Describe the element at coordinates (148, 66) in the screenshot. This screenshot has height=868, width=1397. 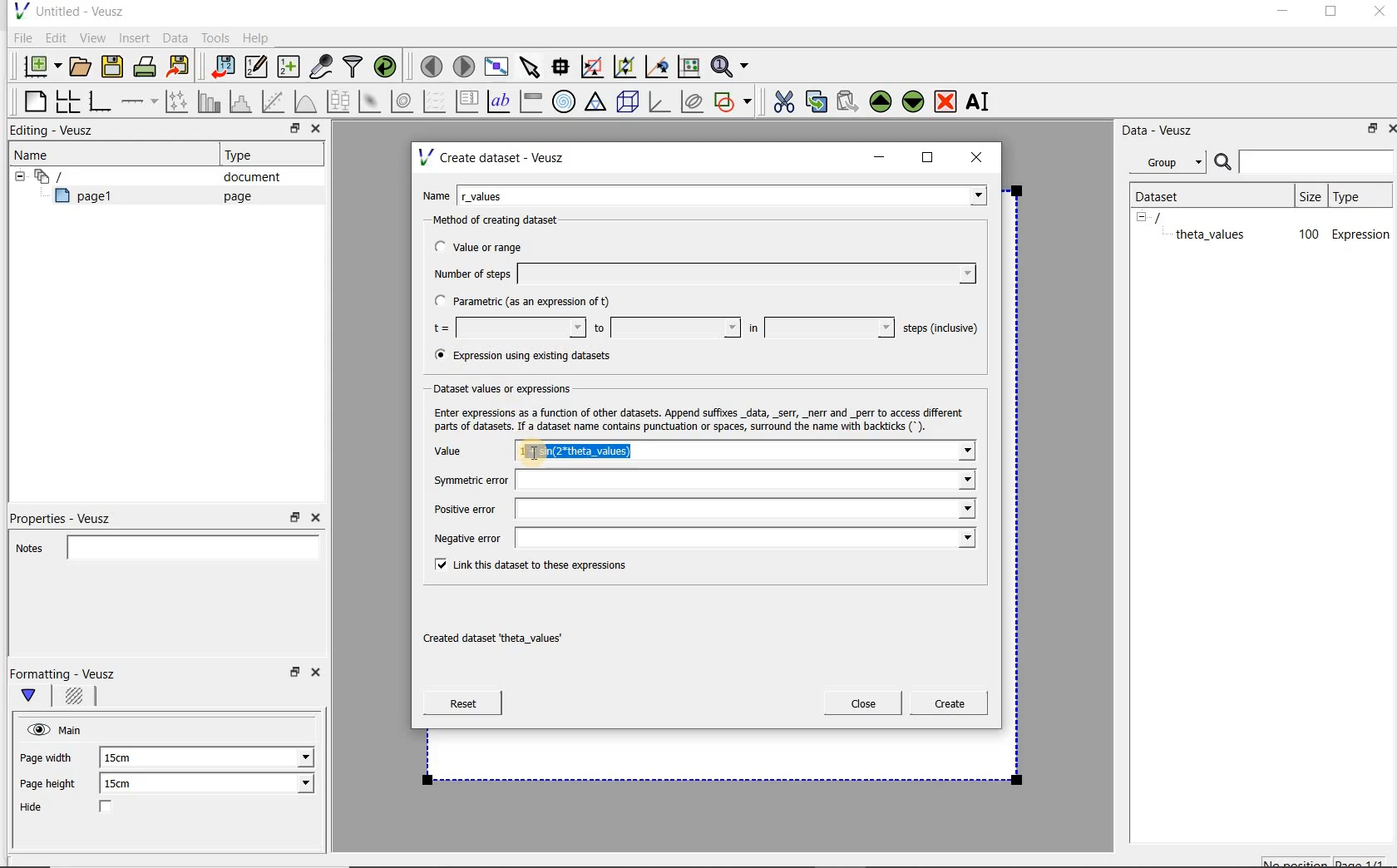
I see `print the document` at that location.